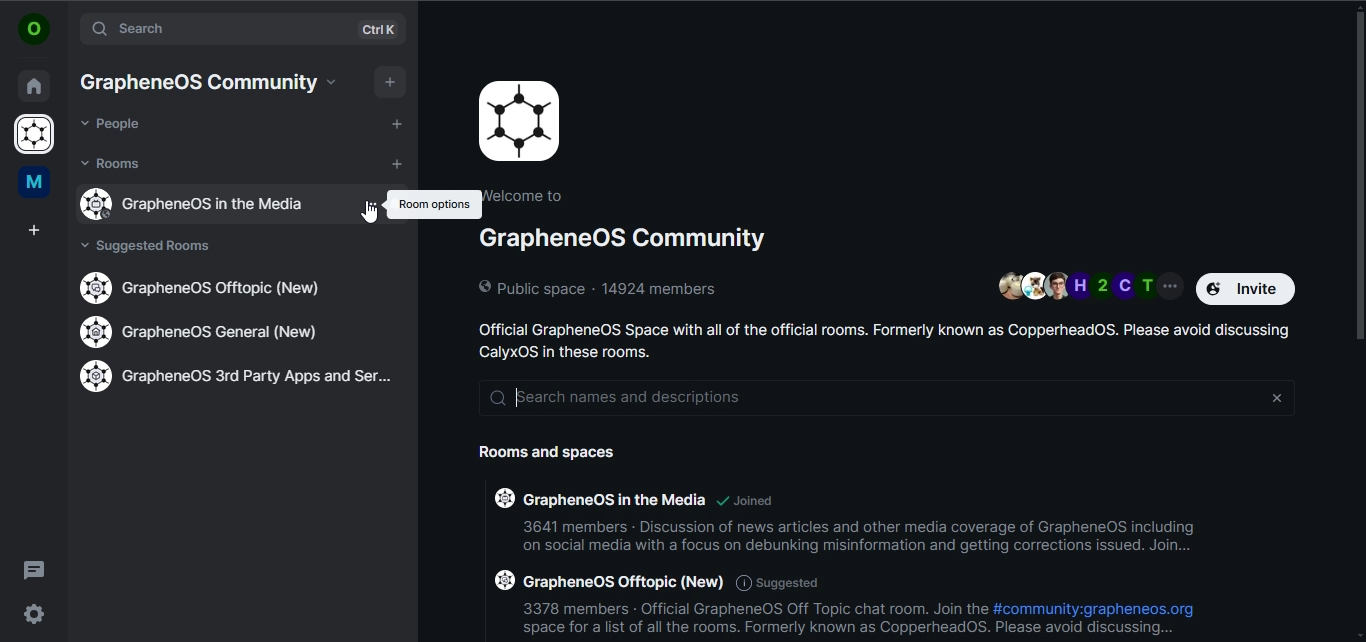 The image size is (1366, 642). I want to click on rooms and spaces, so click(560, 454).